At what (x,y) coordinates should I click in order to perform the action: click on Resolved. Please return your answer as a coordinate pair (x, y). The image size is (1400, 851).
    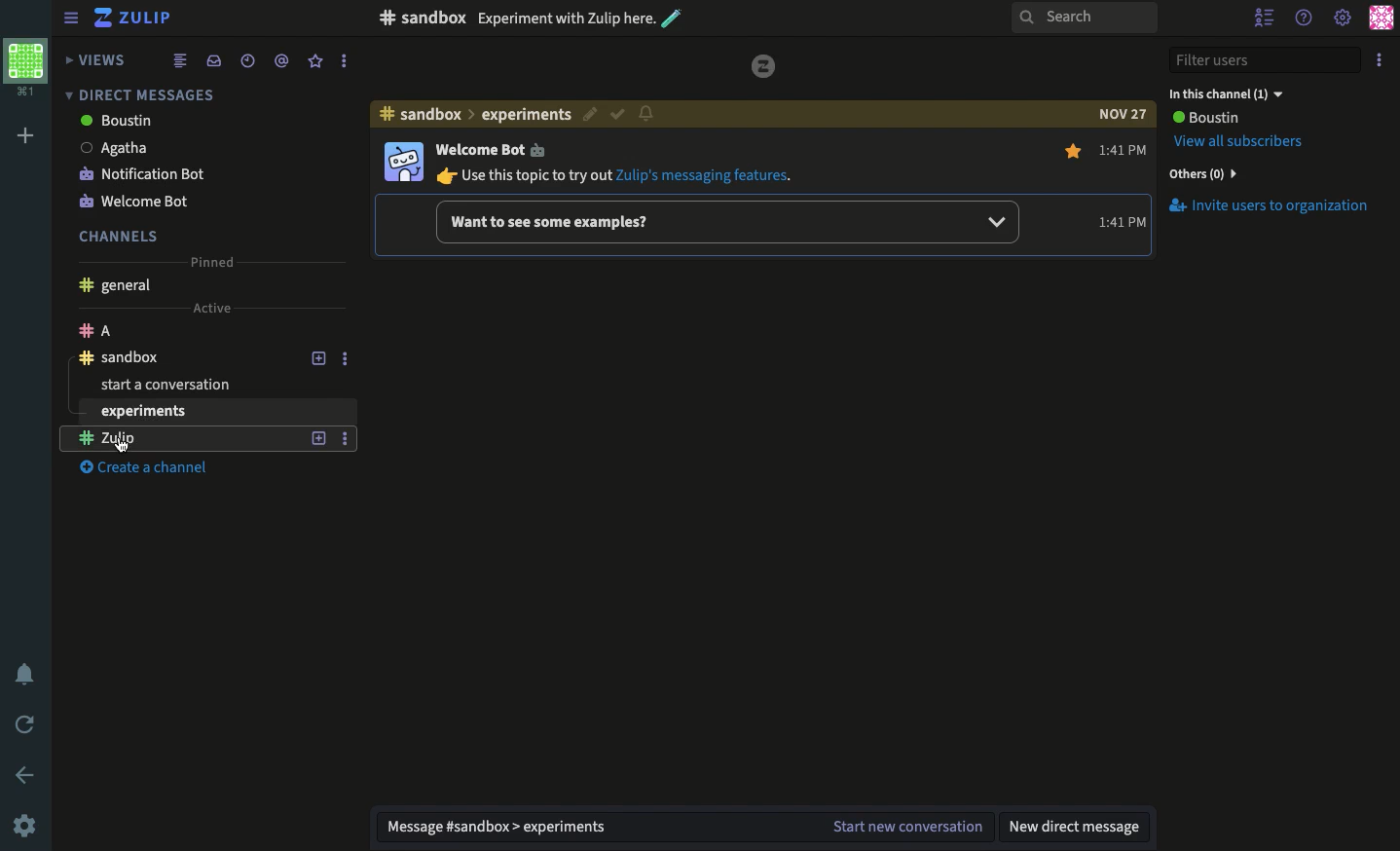
    Looking at the image, I should click on (670, 115).